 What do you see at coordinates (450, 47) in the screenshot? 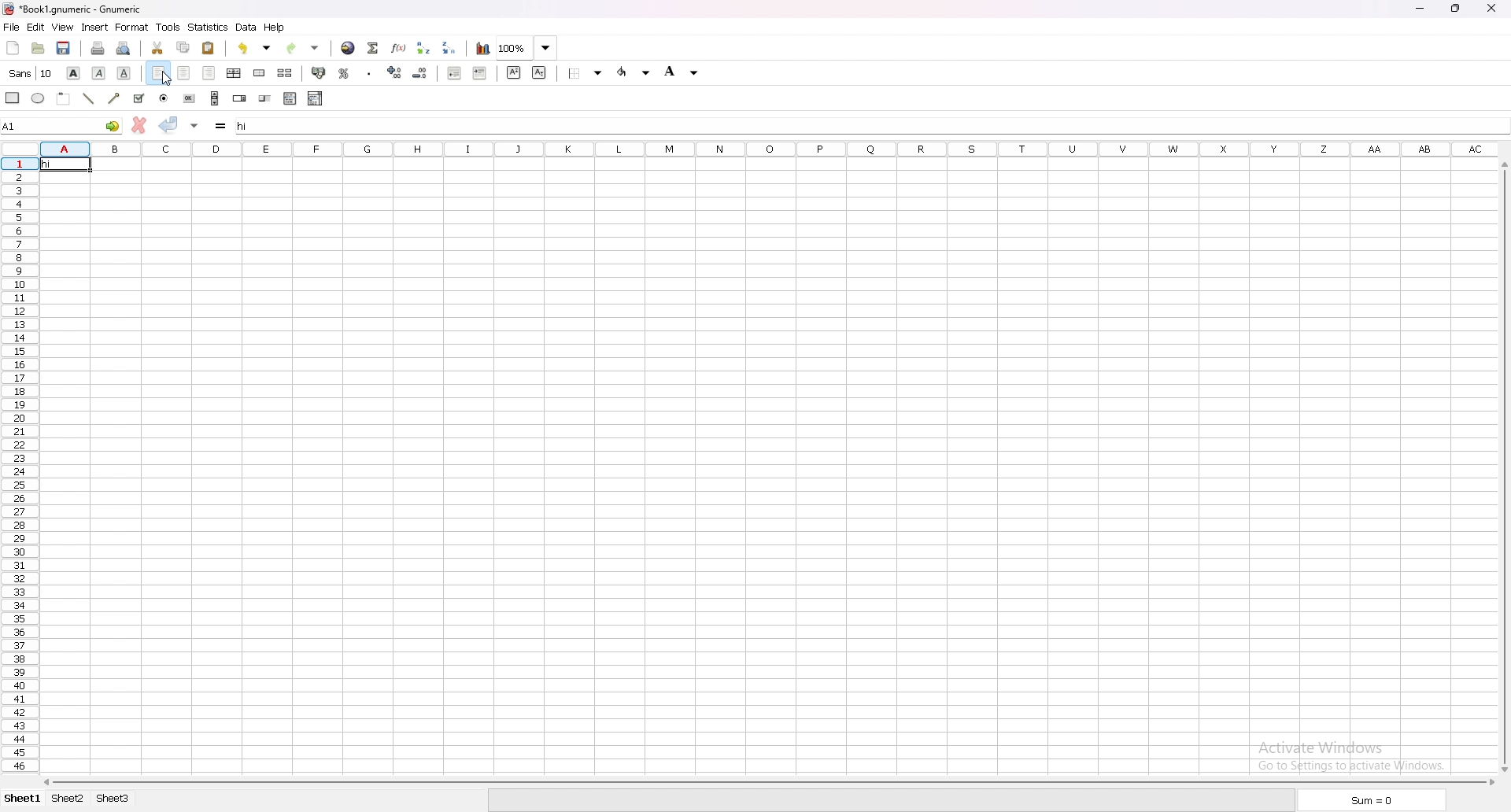
I see `sort descending` at bounding box center [450, 47].